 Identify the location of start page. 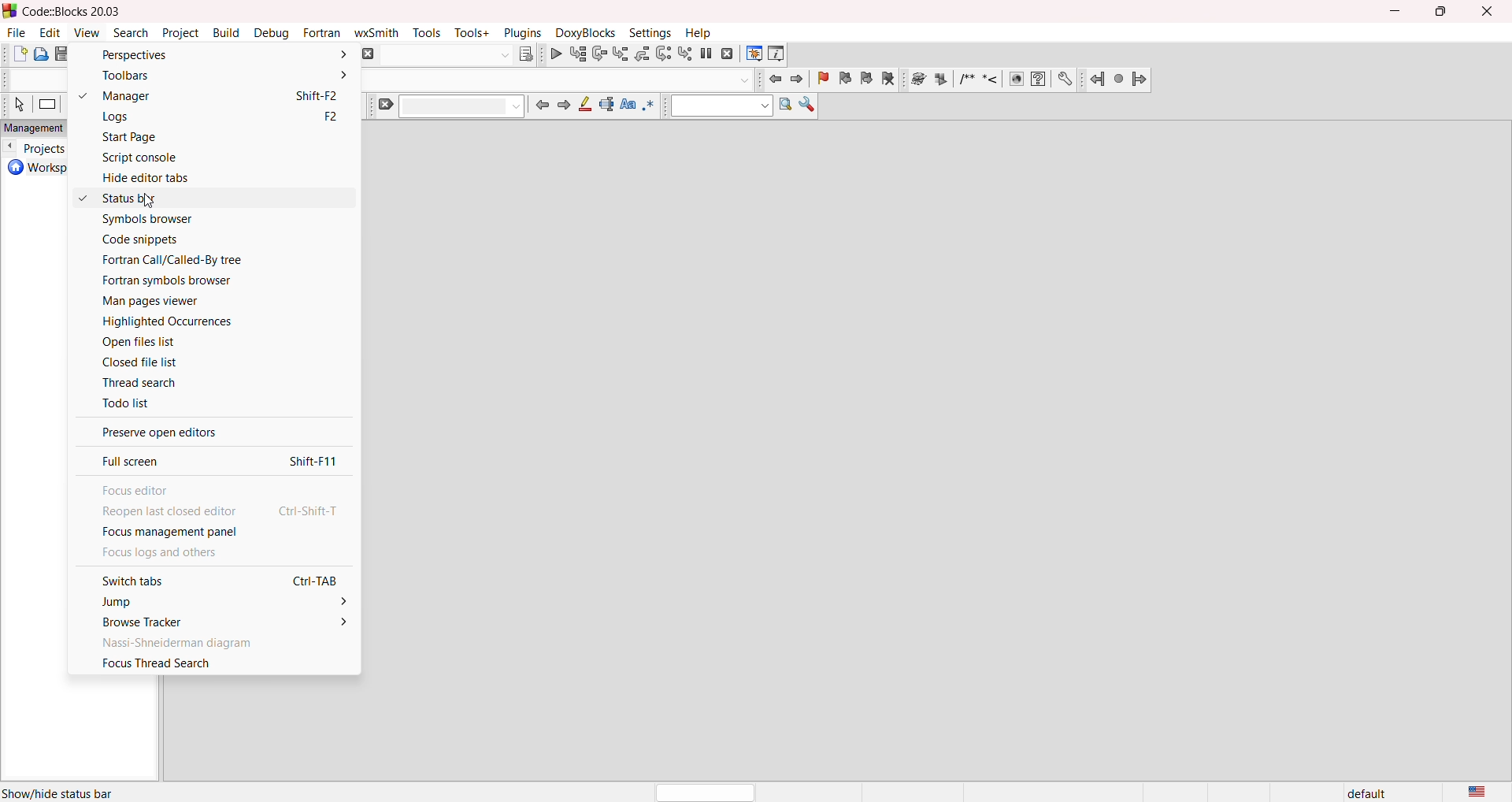
(200, 136).